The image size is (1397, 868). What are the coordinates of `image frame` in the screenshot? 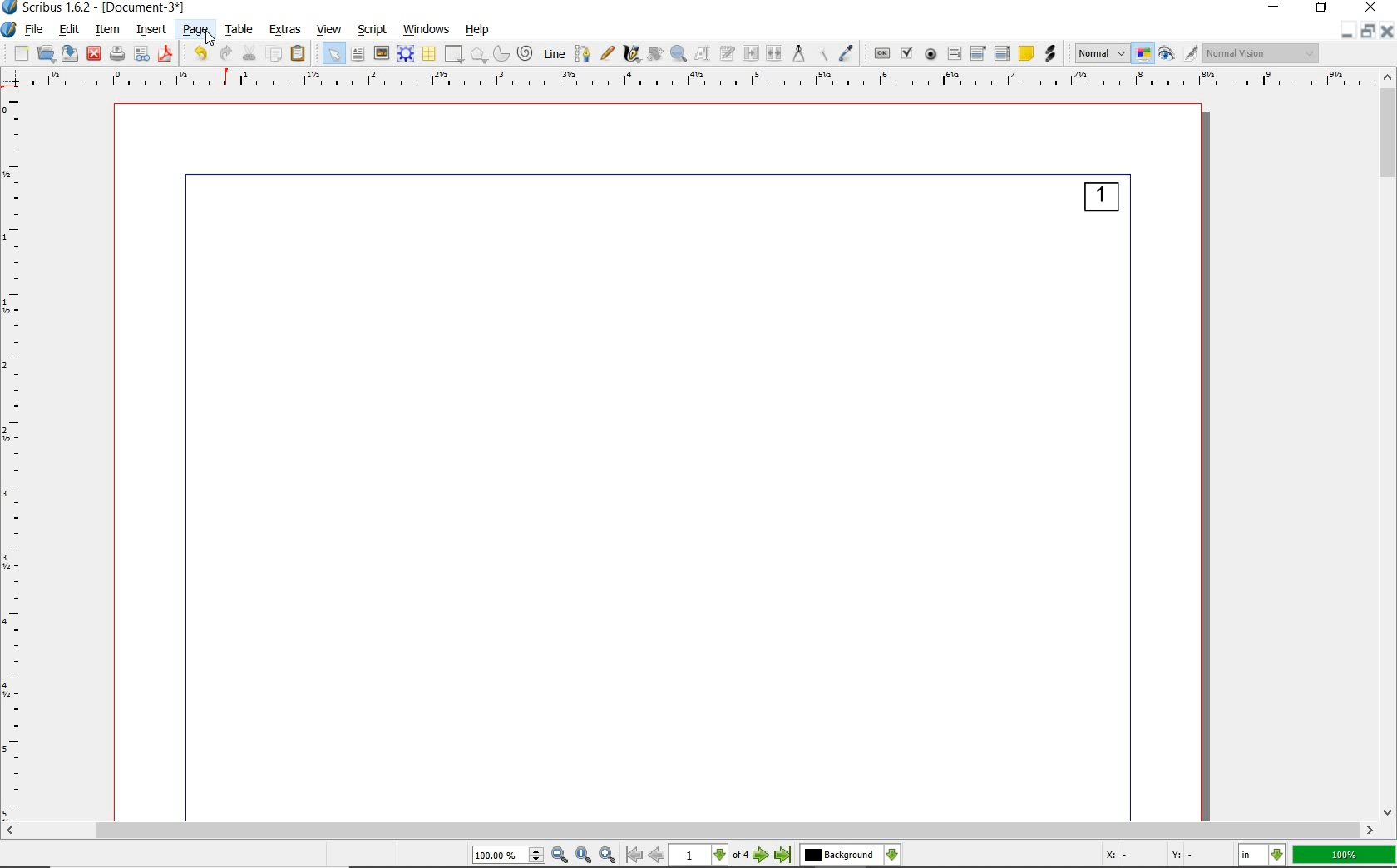 It's located at (381, 55).